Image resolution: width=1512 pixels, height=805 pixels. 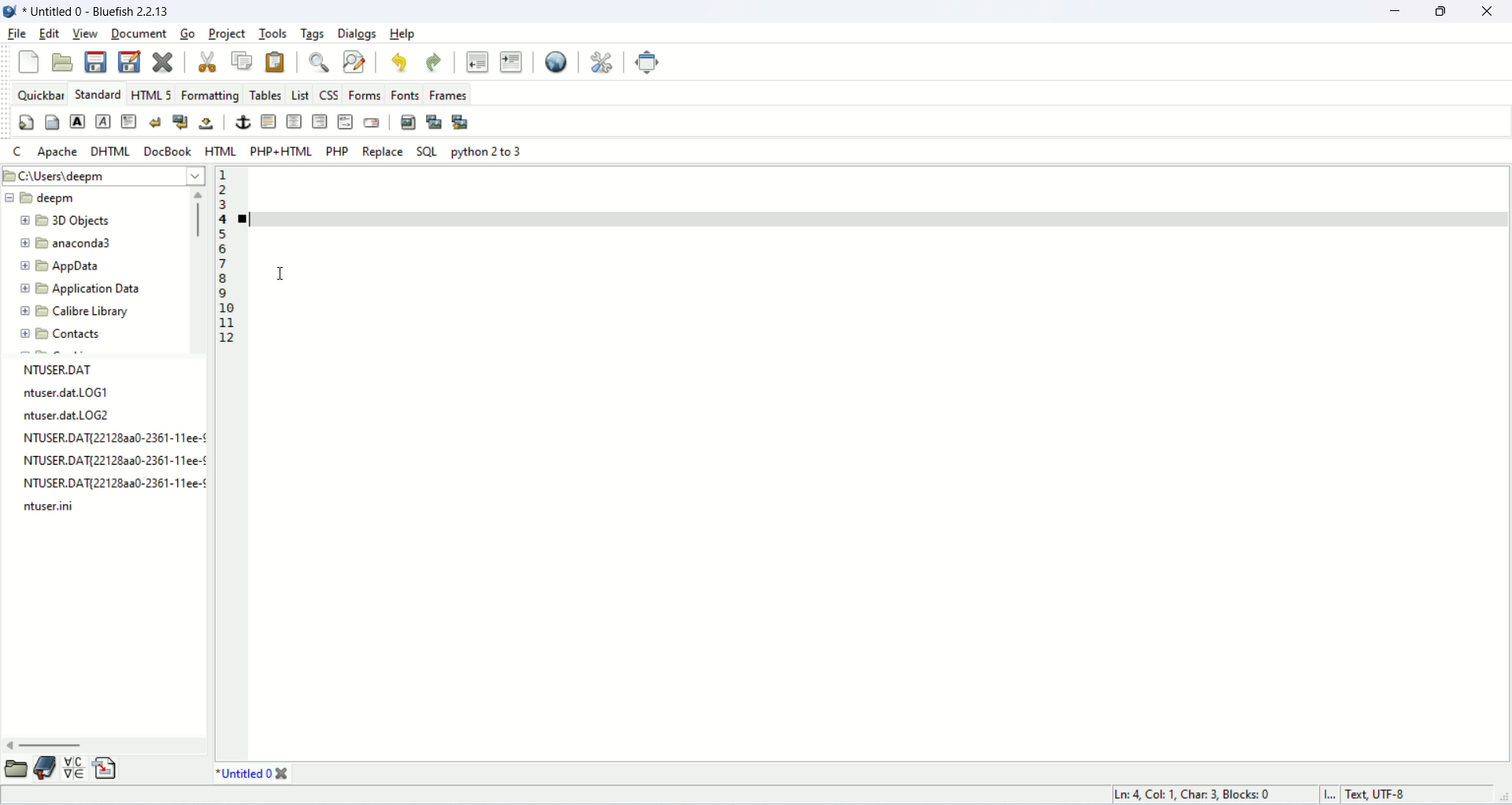 What do you see at coordinates (397, 61) in the screenshot?
I see `undo` at bounding box center [397, 61].